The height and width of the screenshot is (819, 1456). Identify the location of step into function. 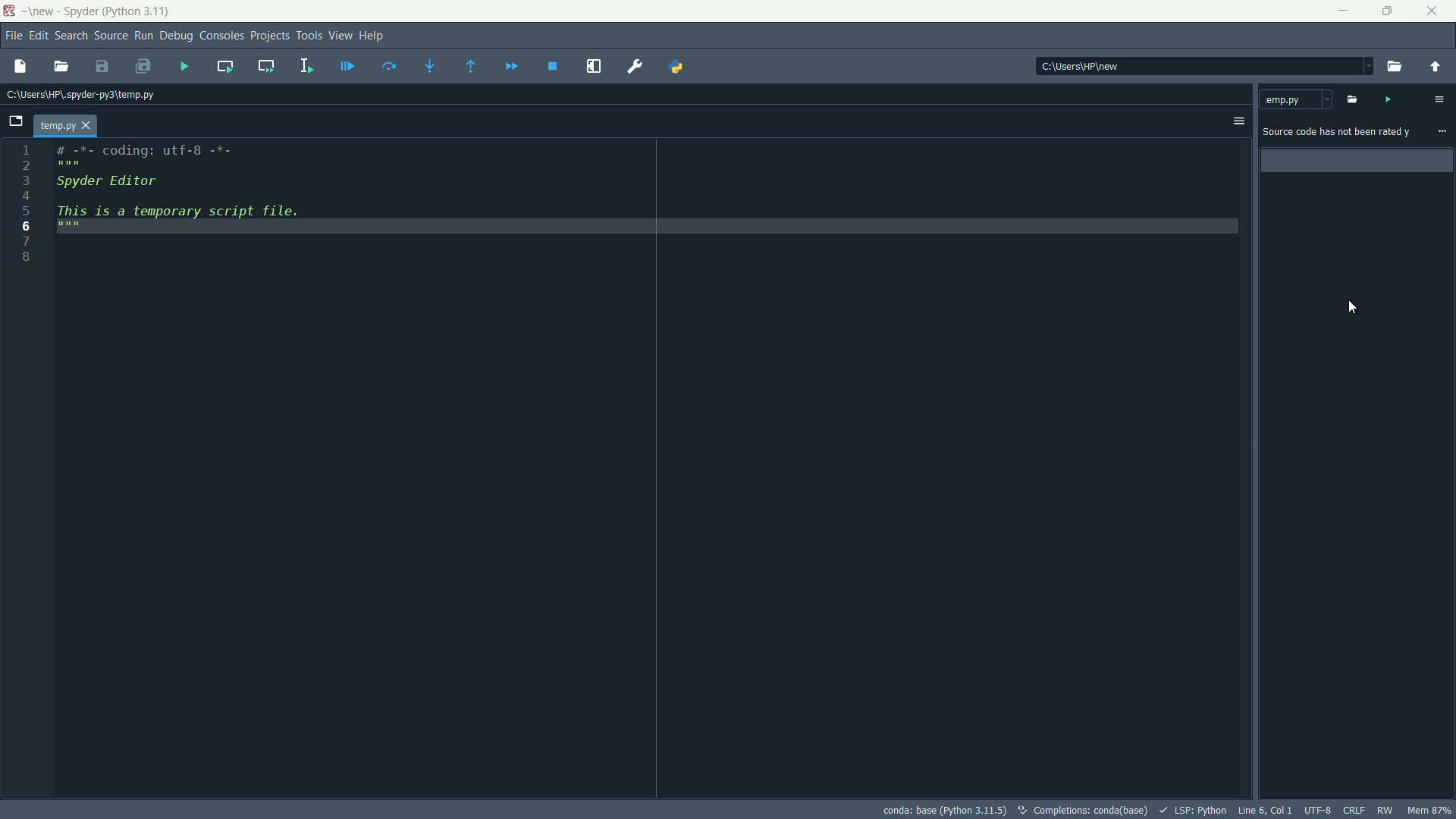
(431, 66).